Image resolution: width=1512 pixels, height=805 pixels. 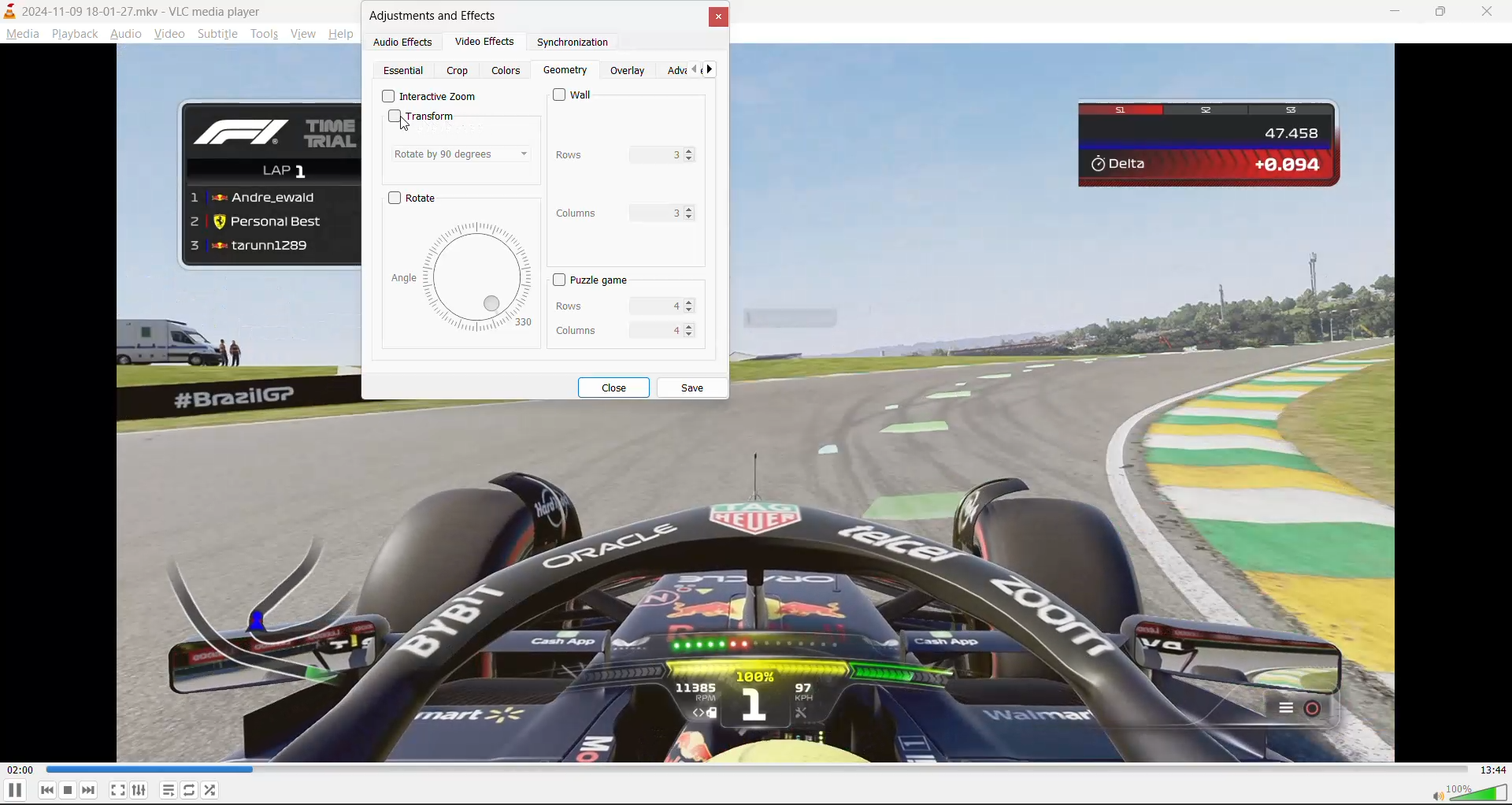 I want to click on puzzle game, so click(x=588, y=280).